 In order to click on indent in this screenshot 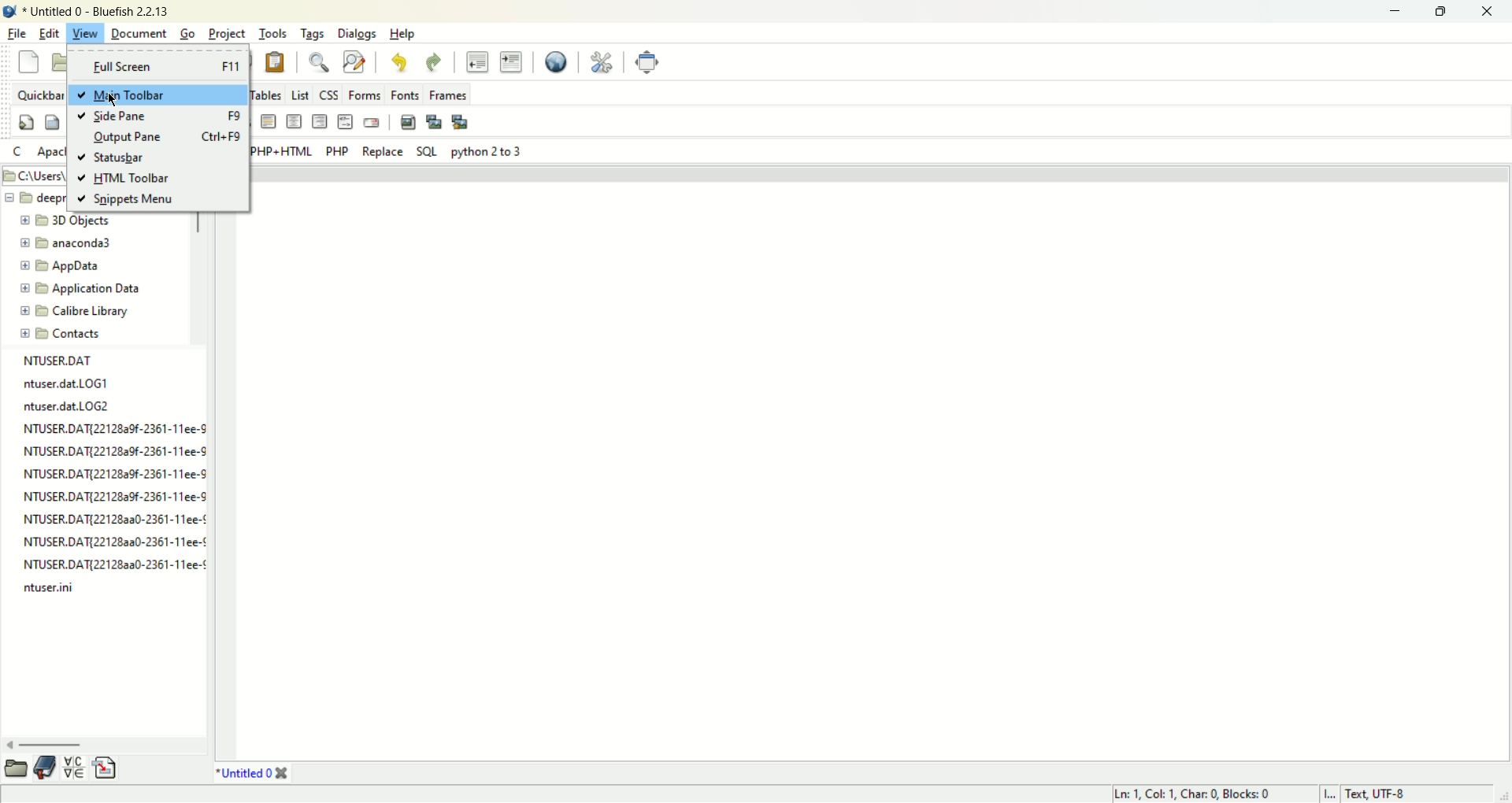, I will do `click(511, 61)`.